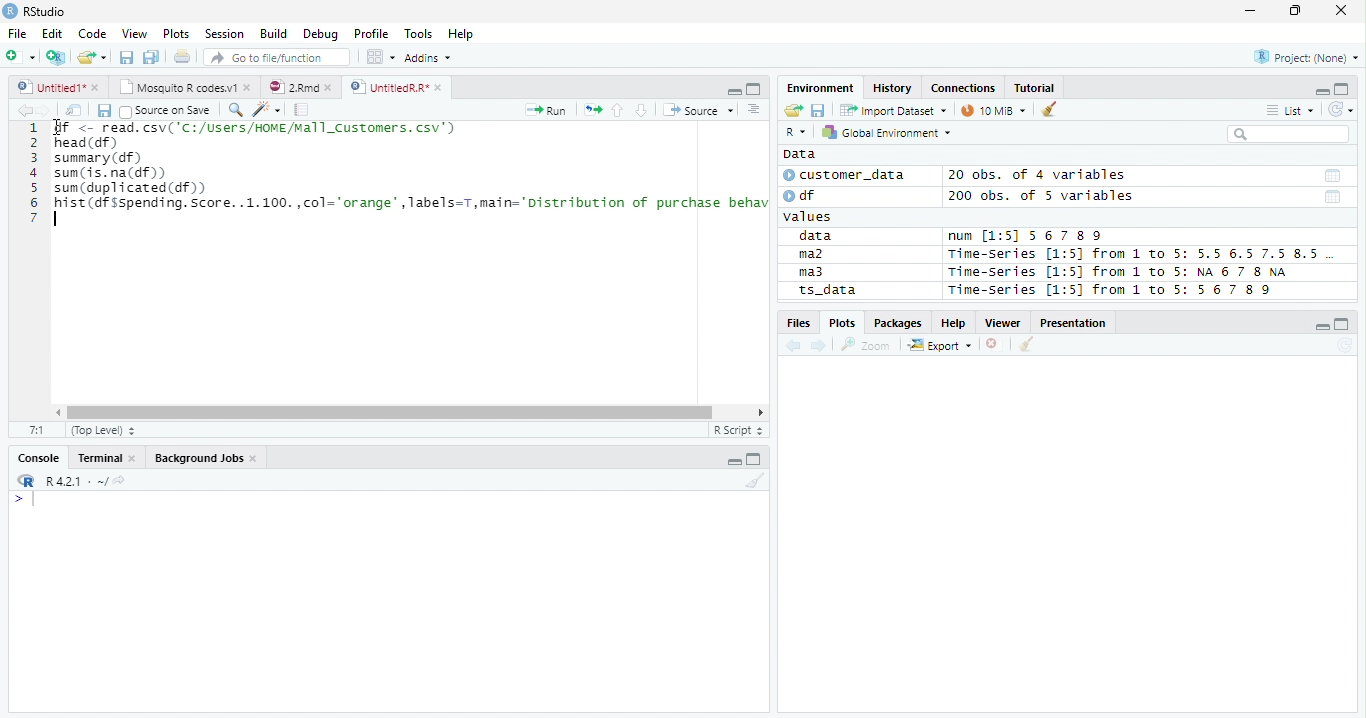  I want to click on Maximize, so click(1344, 324).